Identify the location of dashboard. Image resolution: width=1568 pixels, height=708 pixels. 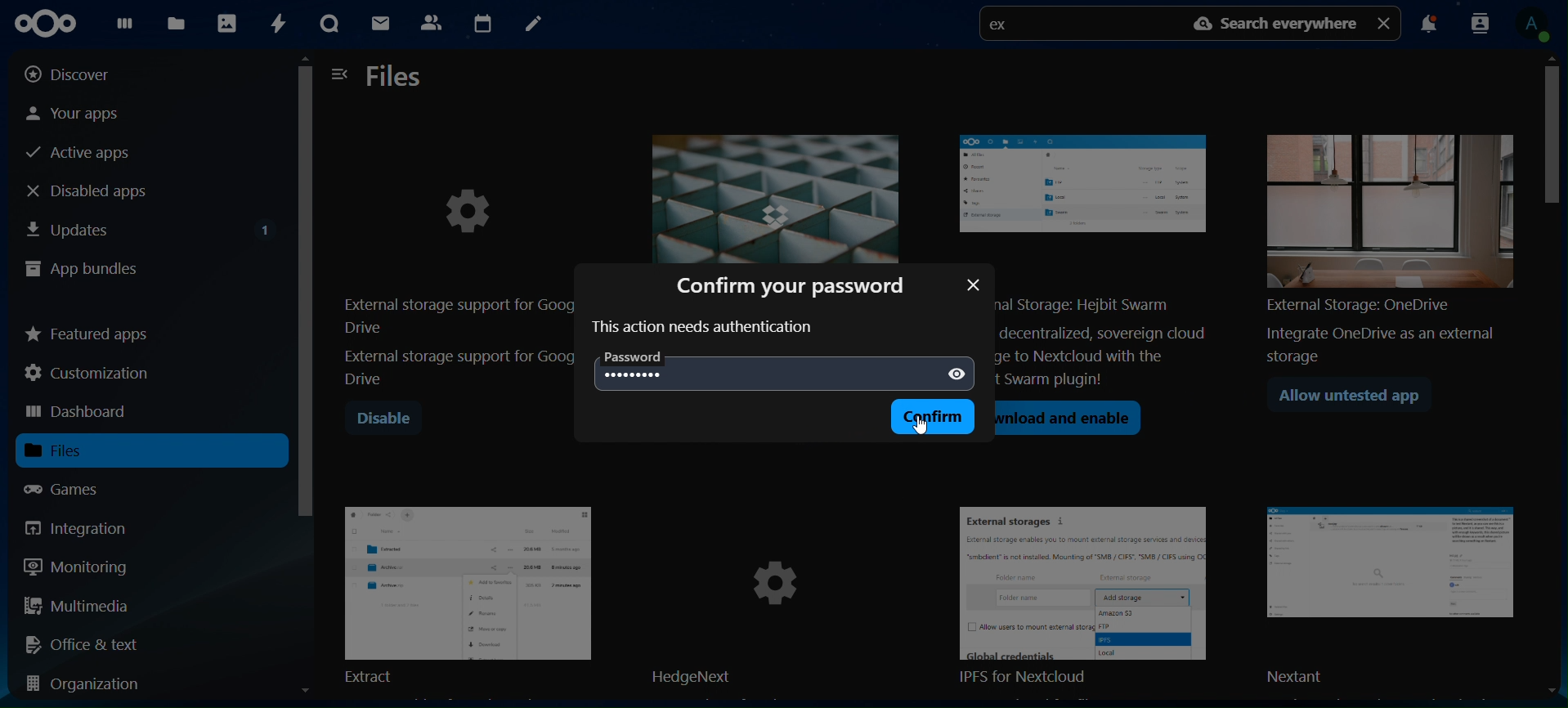
(124, 27).